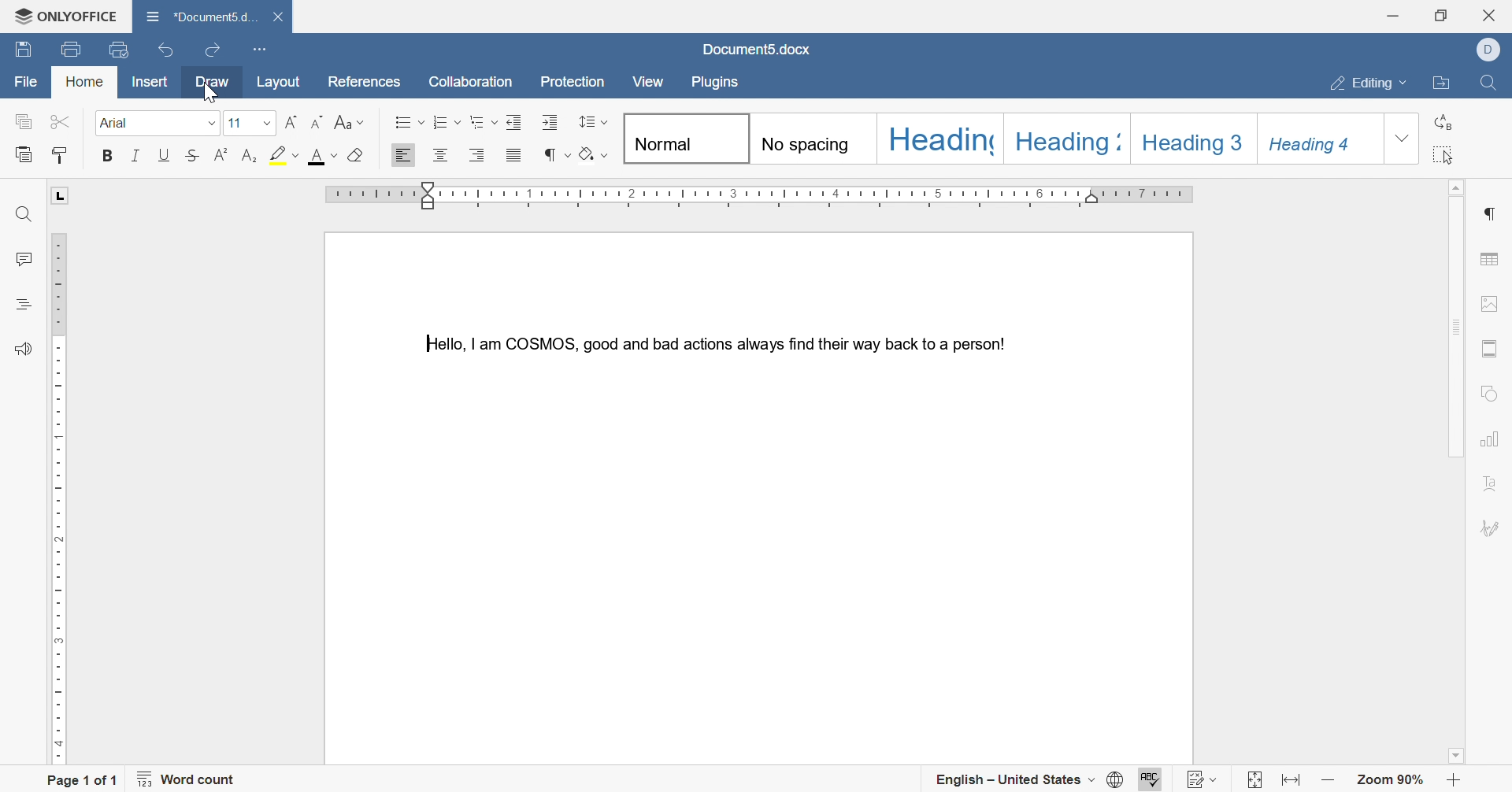 This screenshot has width=1512, height=792. I want to click on paragraph line spacing, so click(595, 124).